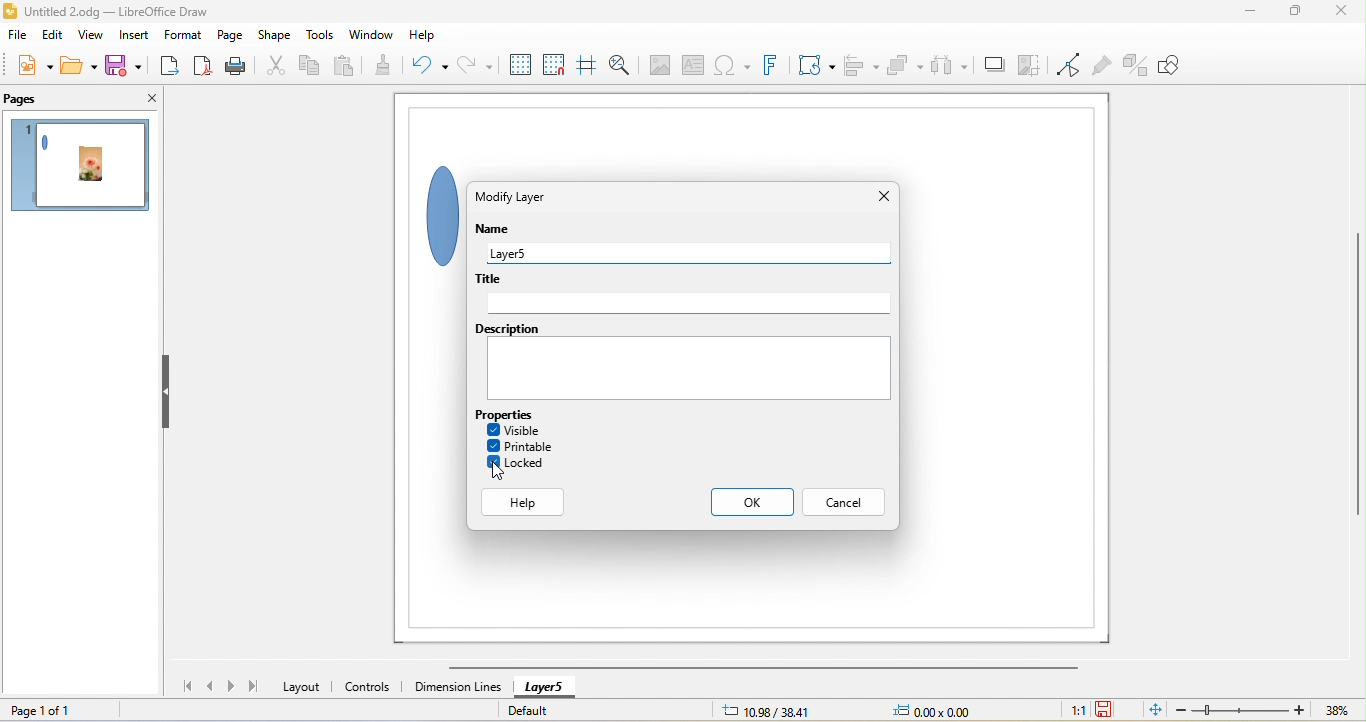 This screenshot has height=722, width=1366. I want to click on layer 5, so click(544, 689).